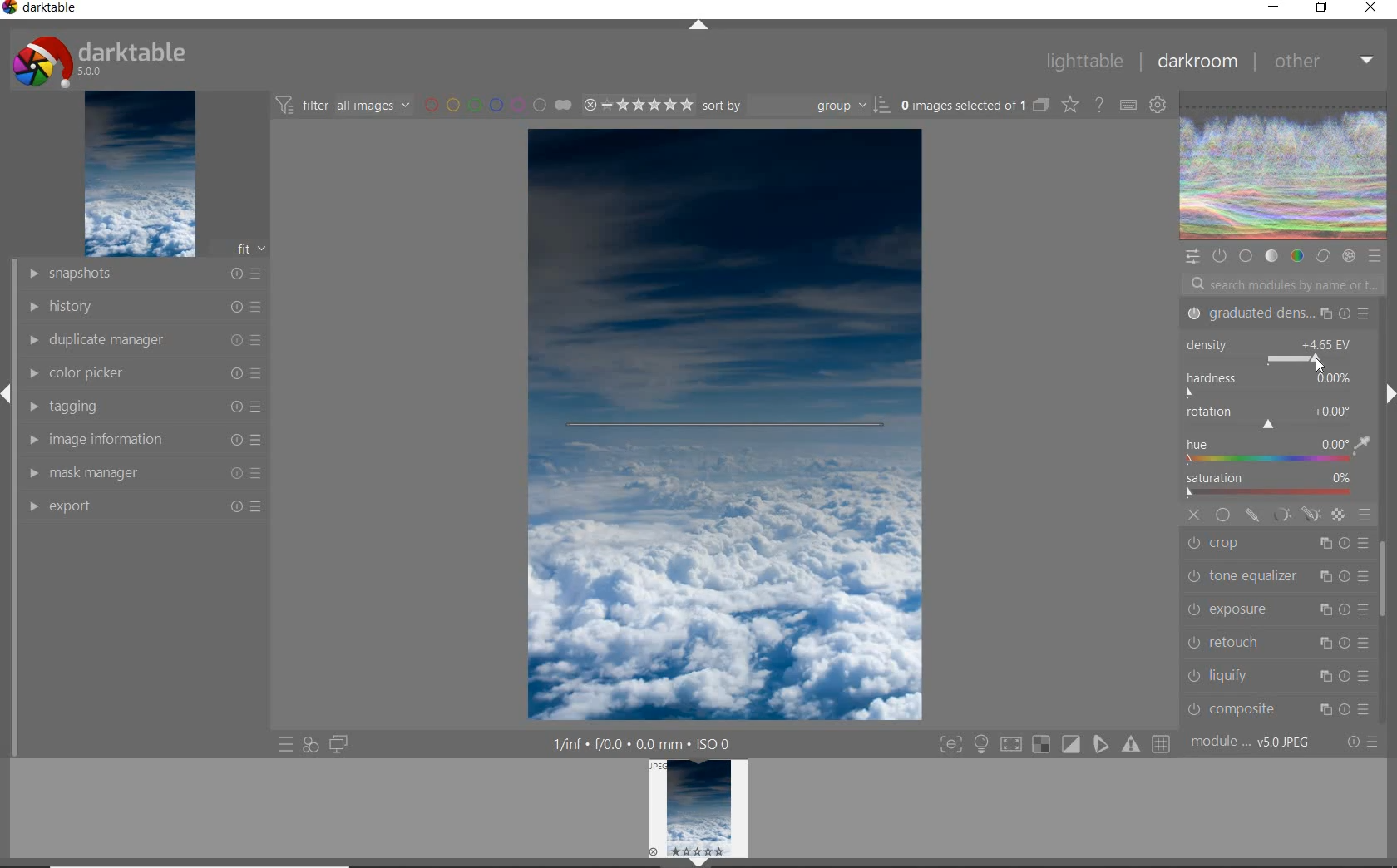 Image resolution: width=1397 pixels, height=868 pixels. What do you see at coordinates (1278, 545) in the screenshot?
I see `crop` at bounding box center [1278, 545].